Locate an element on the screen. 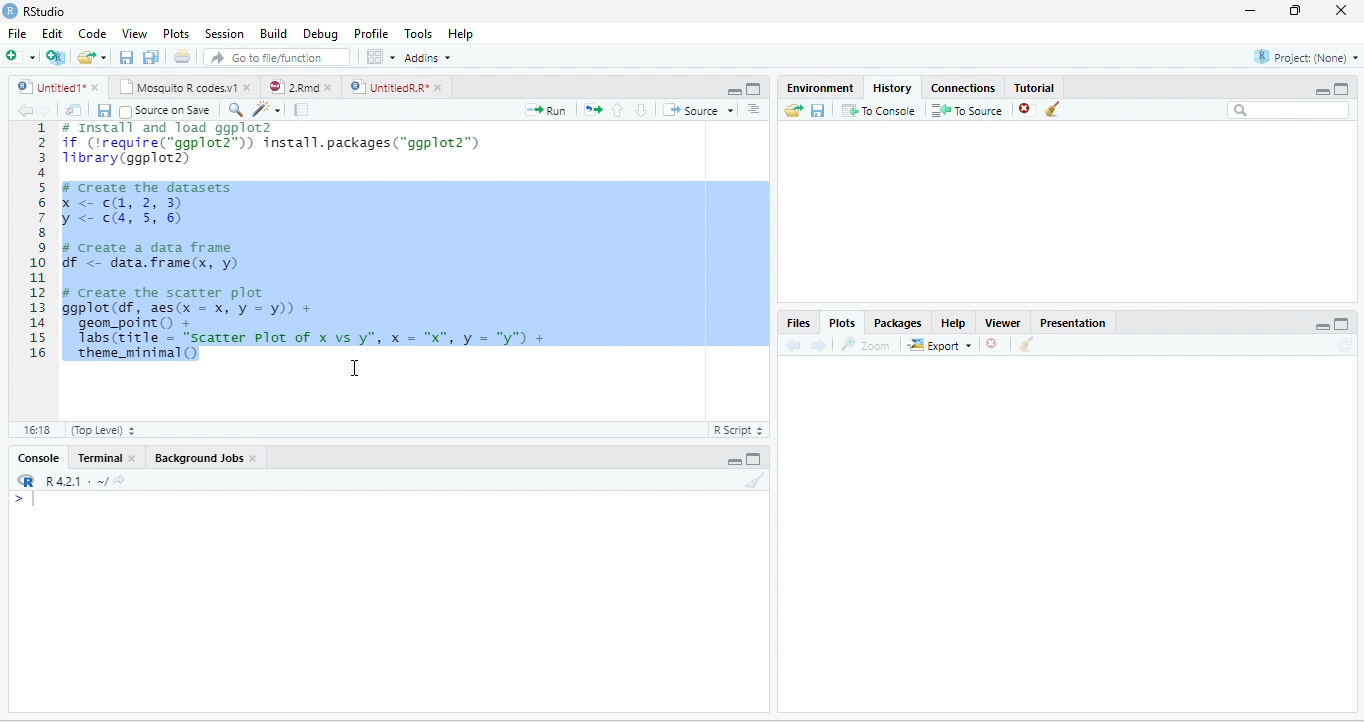 The image size is (1364, 722). Show document outline is located at coordinates (754, 108).